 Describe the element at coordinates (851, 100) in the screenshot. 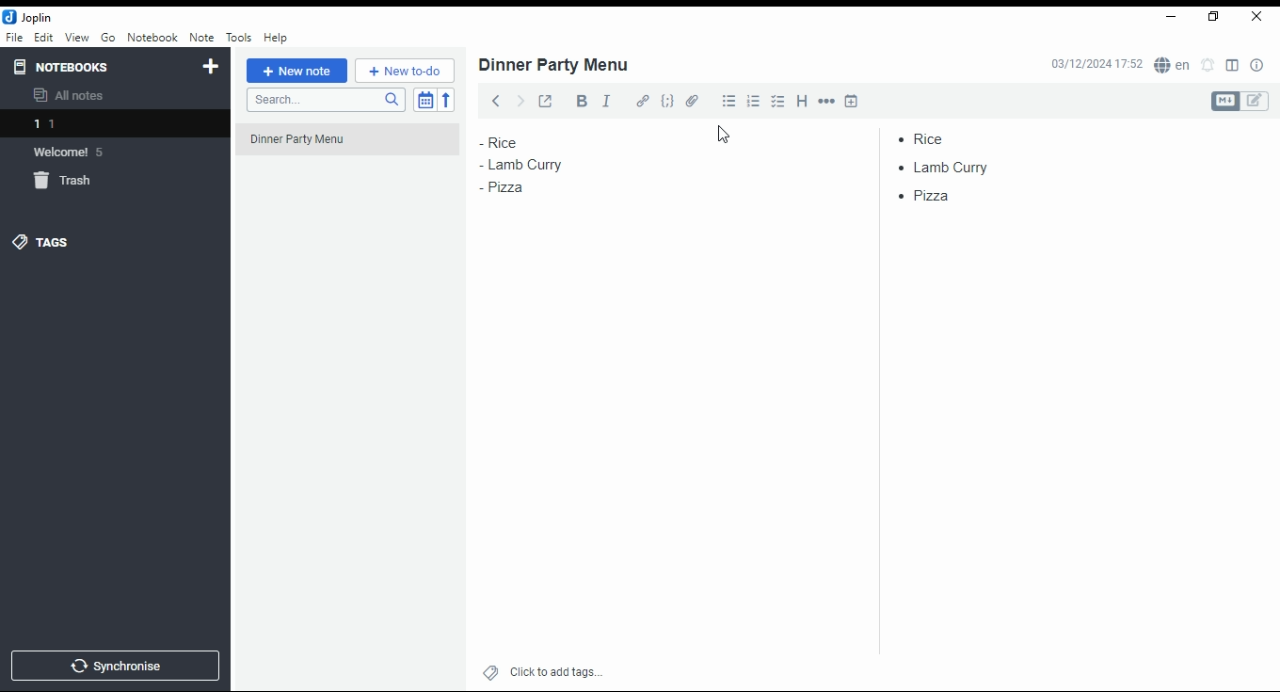

I see `insert time` at that location.